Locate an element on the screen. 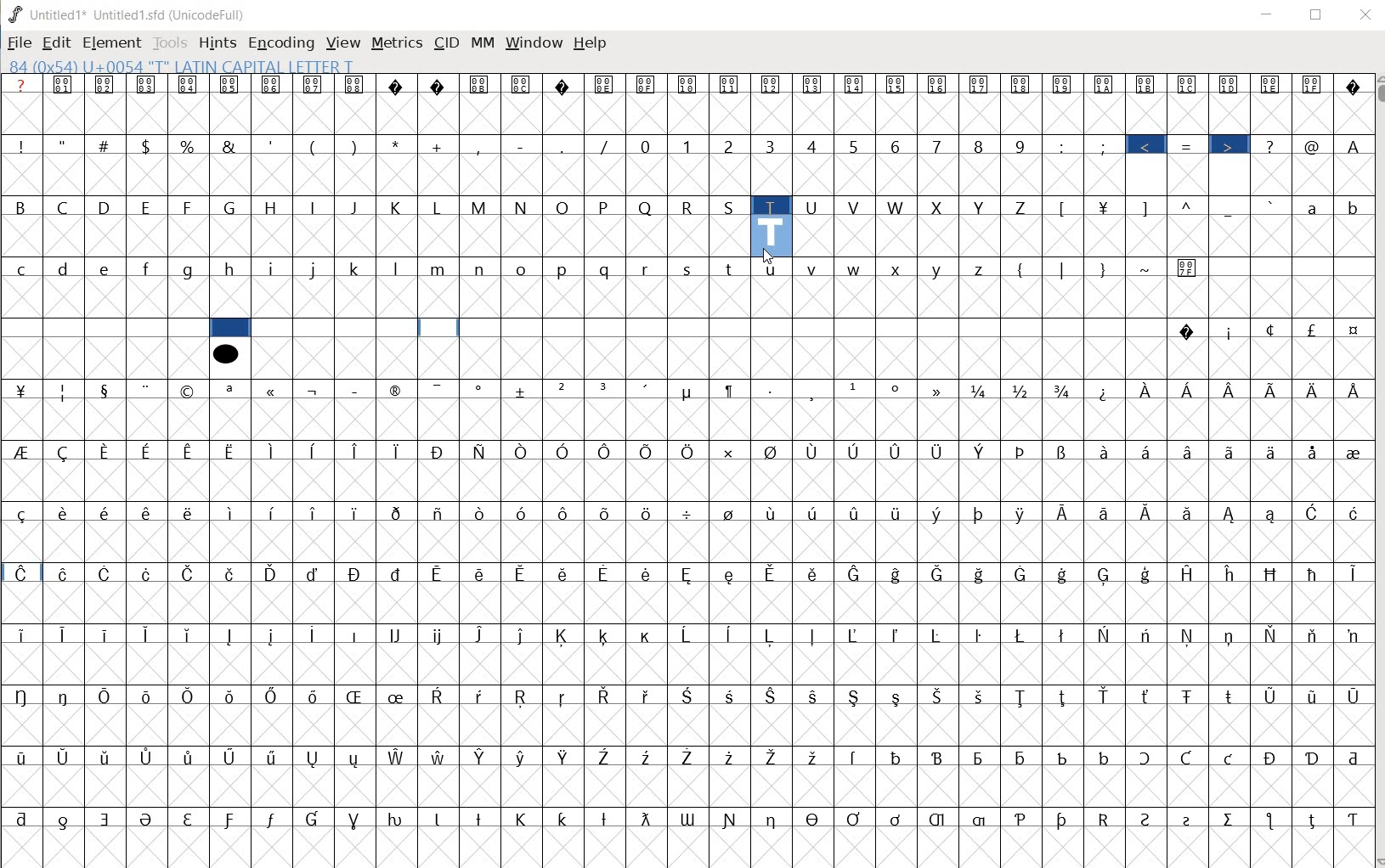 The width and height of the screenshot is (1385, 868). Symbol is located at coordinates (1230, 694).